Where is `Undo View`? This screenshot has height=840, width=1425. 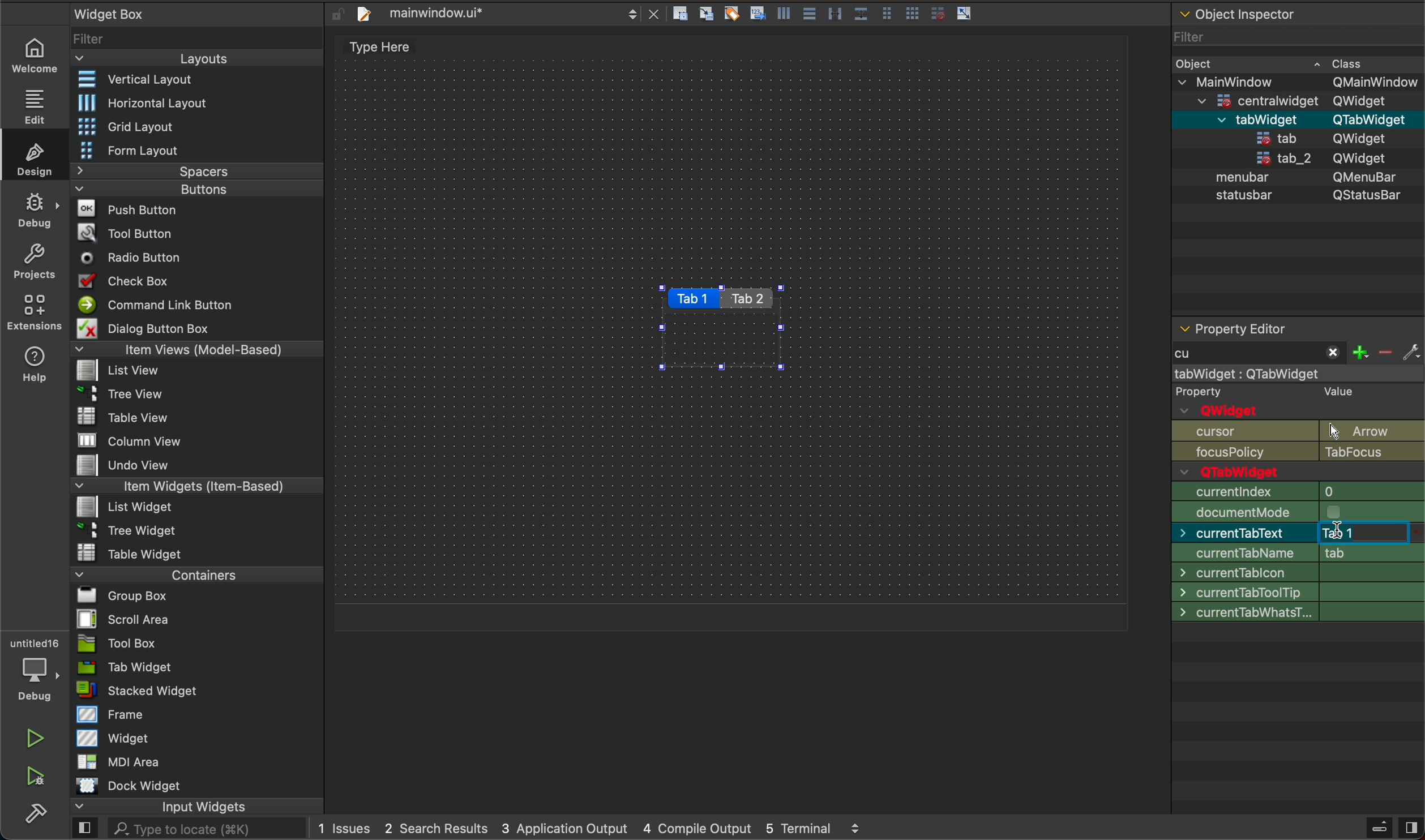 Undo View is located at coordinates (117, 466).